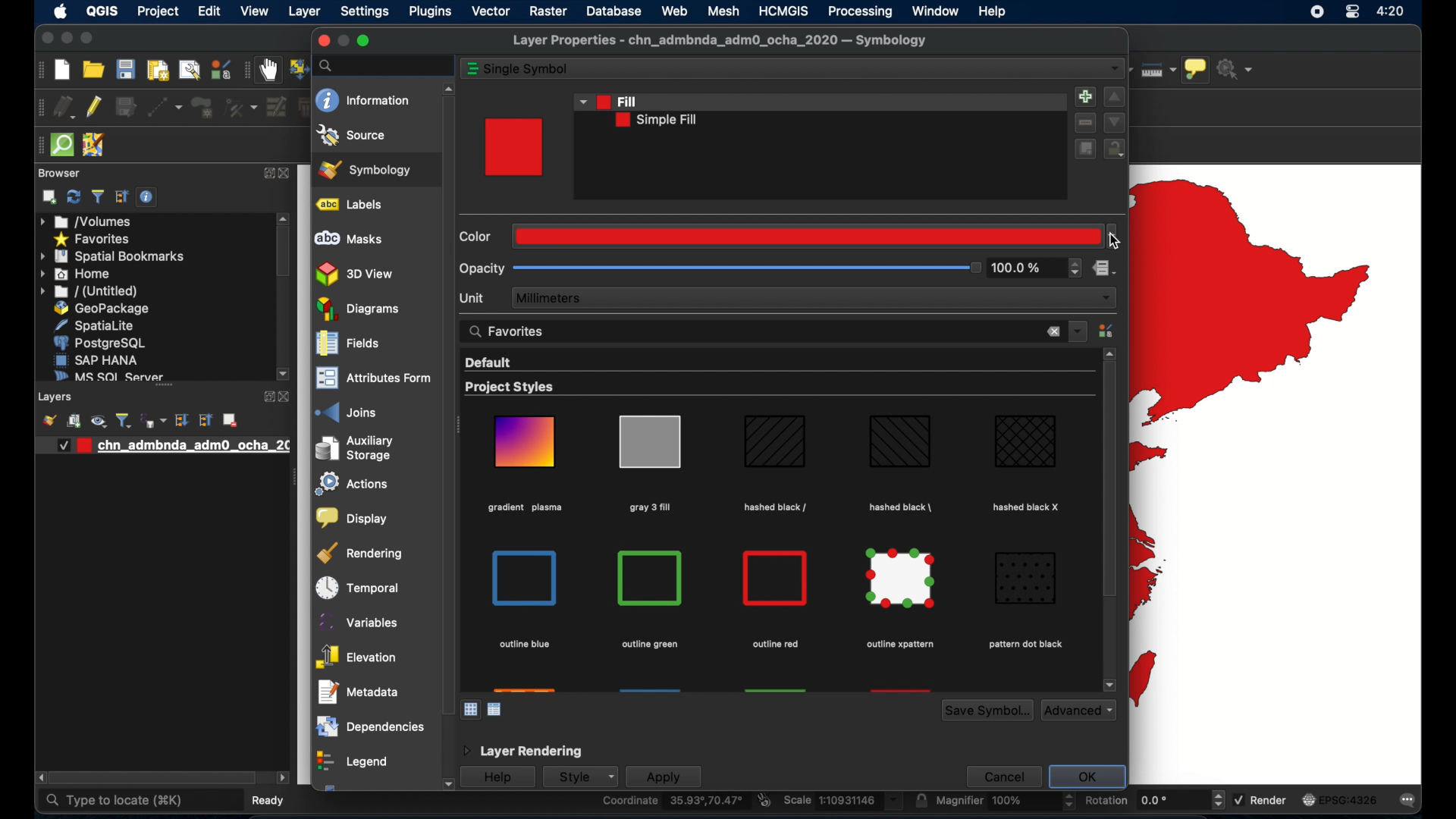 Image resolution: width=1456 pixels, height=819 pixels. Describe the element at coordinates (348, 485) in the screenshot. I see `actions` at that location.